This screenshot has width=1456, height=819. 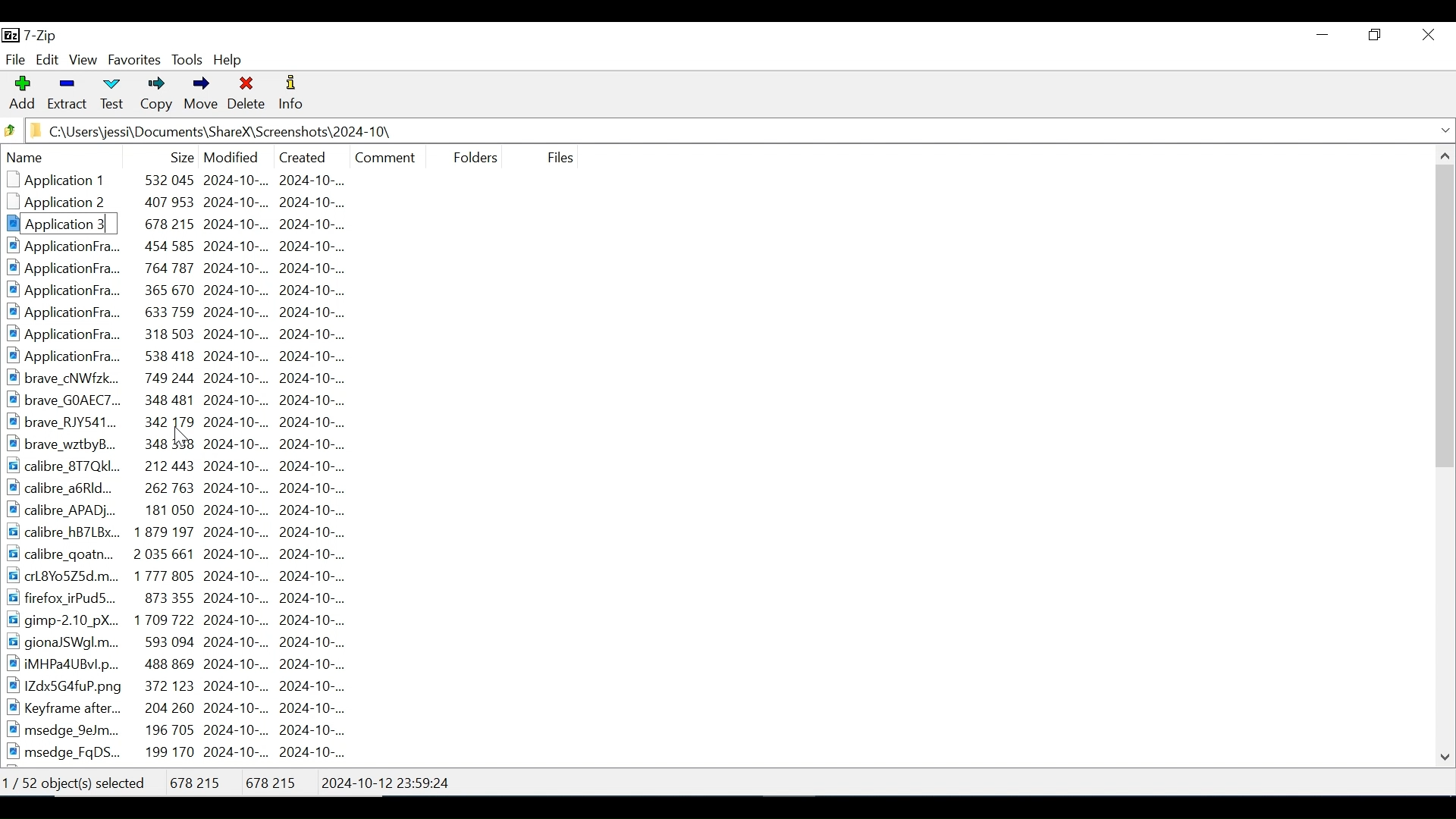 What do you see at coordinates (1443, 155) in the screenshot?
I see `Scroll up` at bounding box center [1443, 155].